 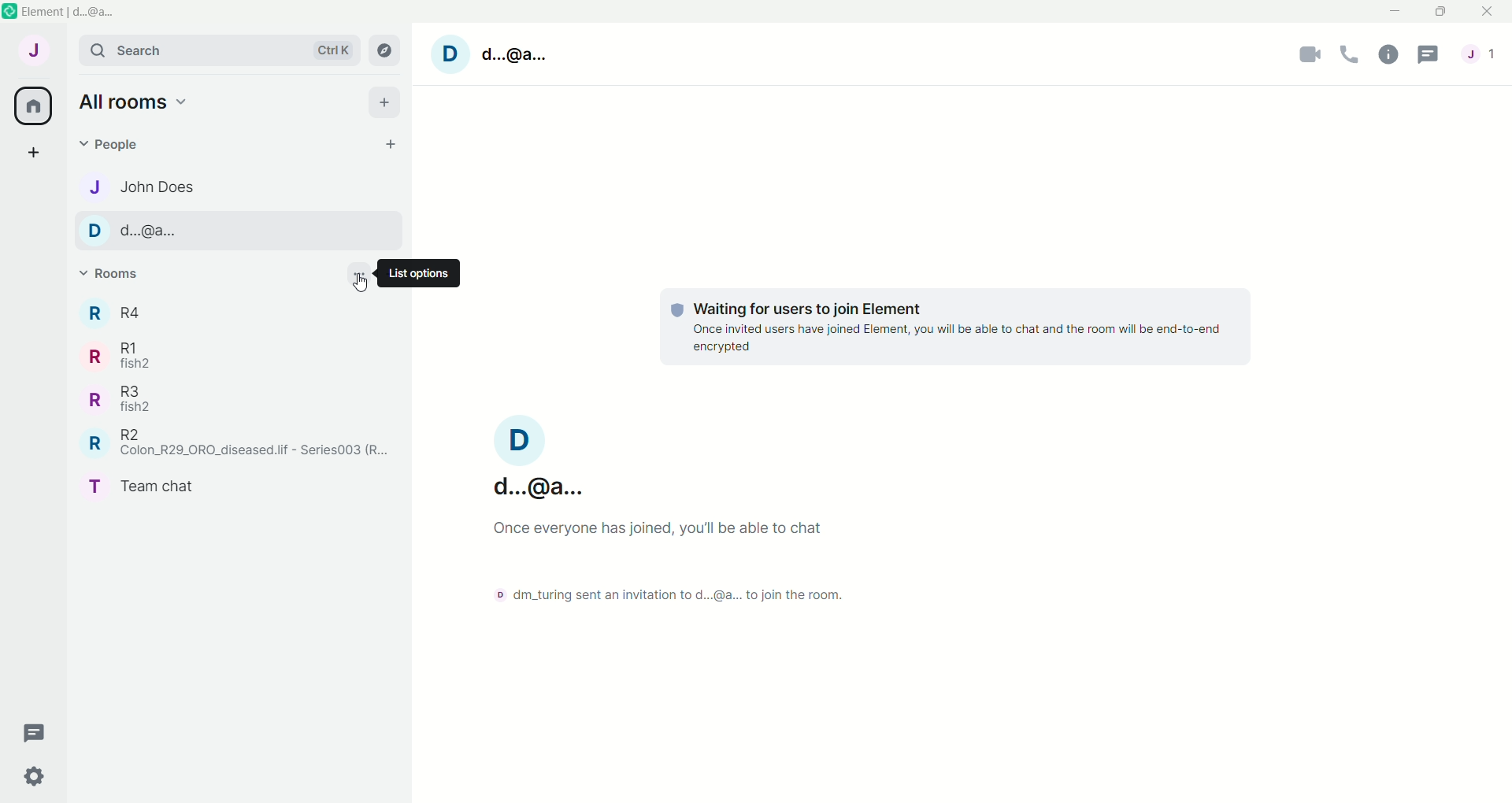 What do you see at coordinates (384, 104) in the screenshot?
I see `Add` at bounding box center [384, 104].